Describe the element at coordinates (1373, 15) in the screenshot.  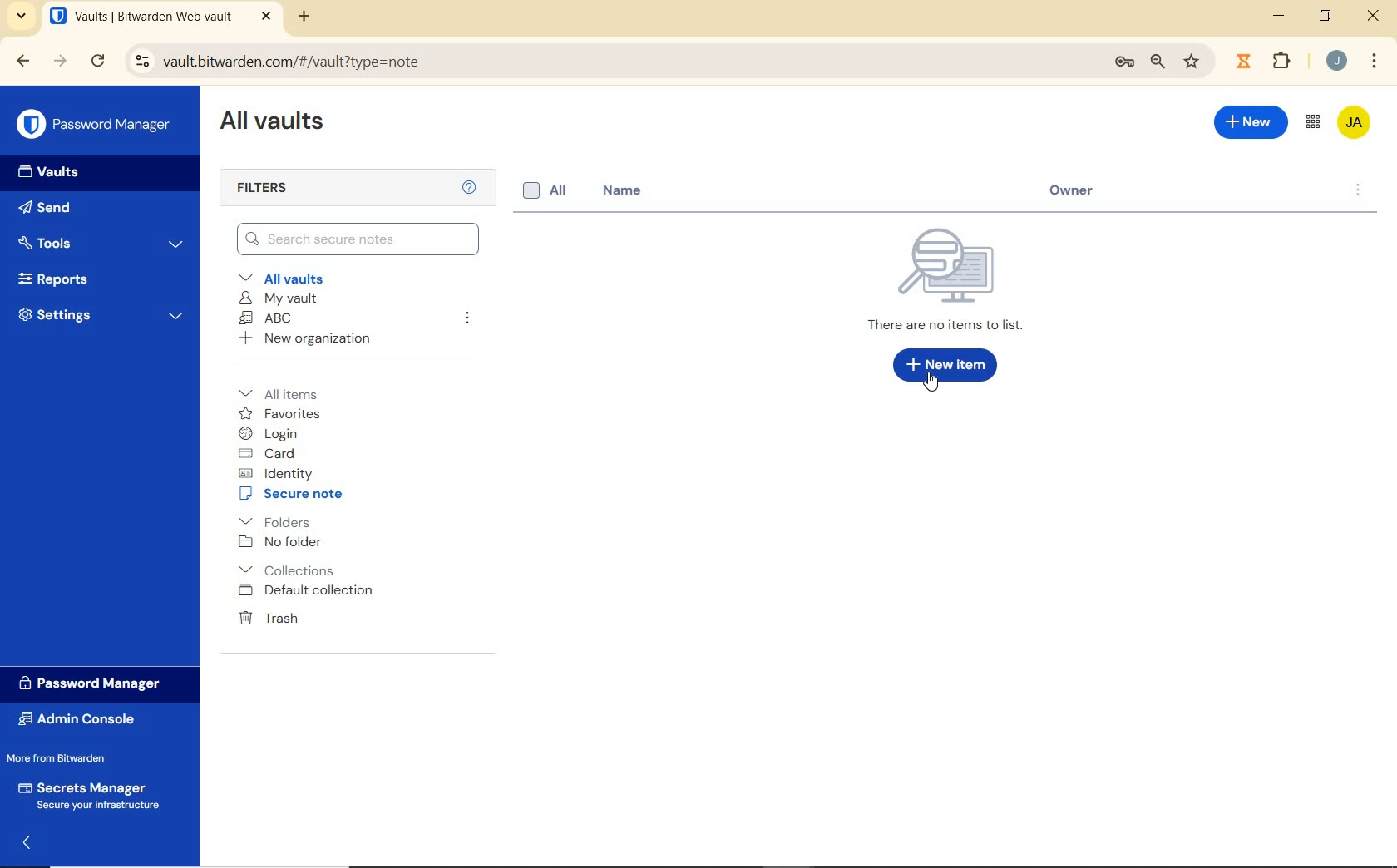
I see `close` at that location.